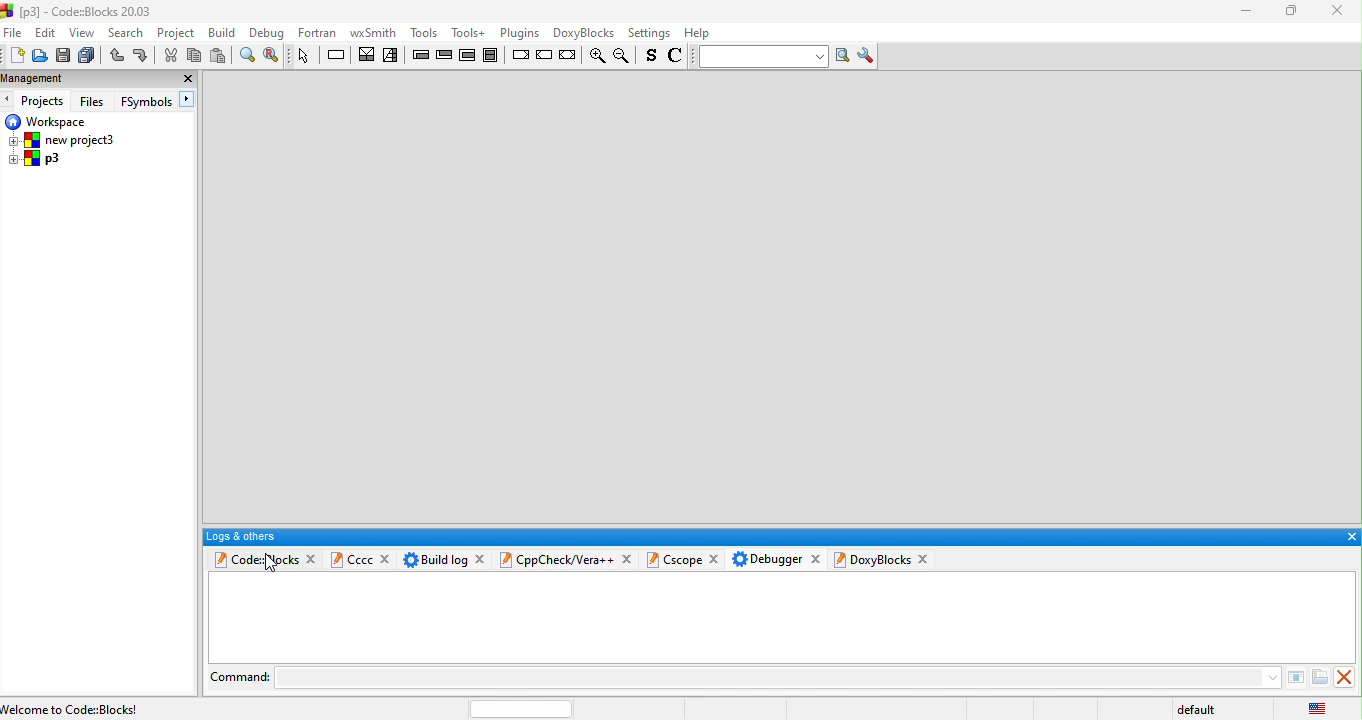  I want to click on undo, so click(115, 56).